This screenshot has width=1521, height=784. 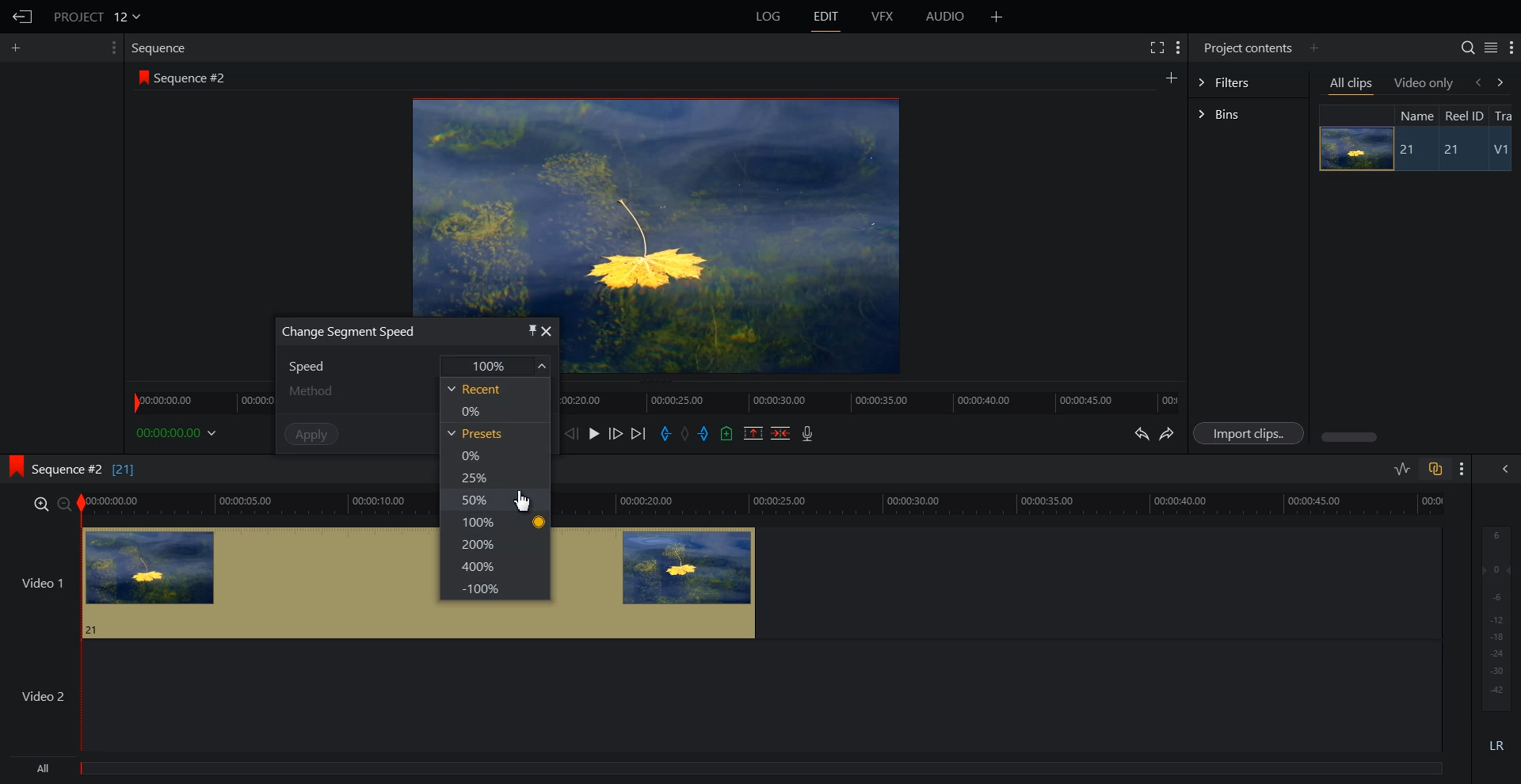 What do you see at coordinates (1505, 115) in the screenshot?
I see `Tra` at bounding box center [1505, 115].